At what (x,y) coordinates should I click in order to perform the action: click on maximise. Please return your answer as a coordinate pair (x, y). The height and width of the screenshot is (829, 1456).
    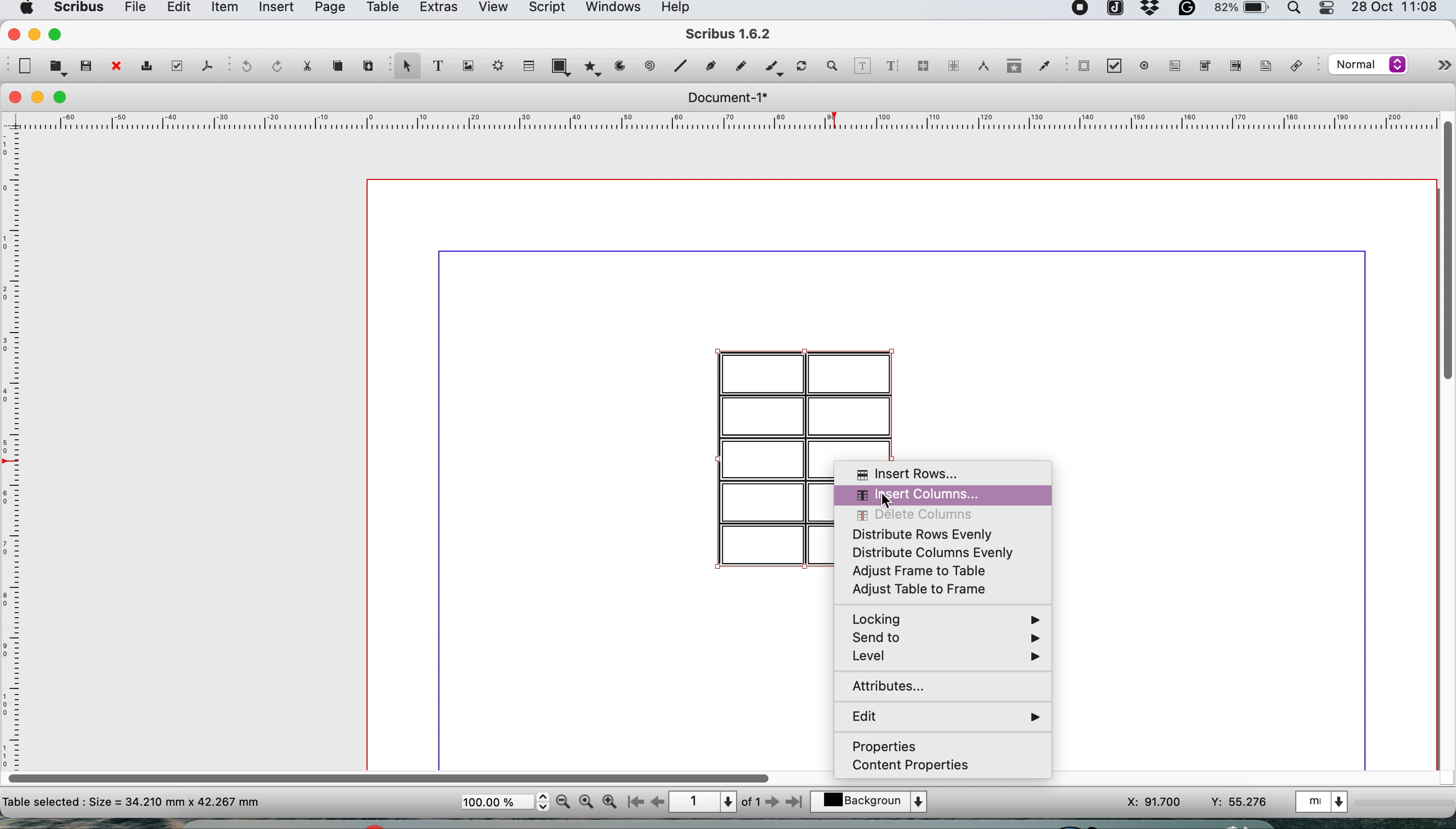
    Looking at the image, I should click on (58, 34).